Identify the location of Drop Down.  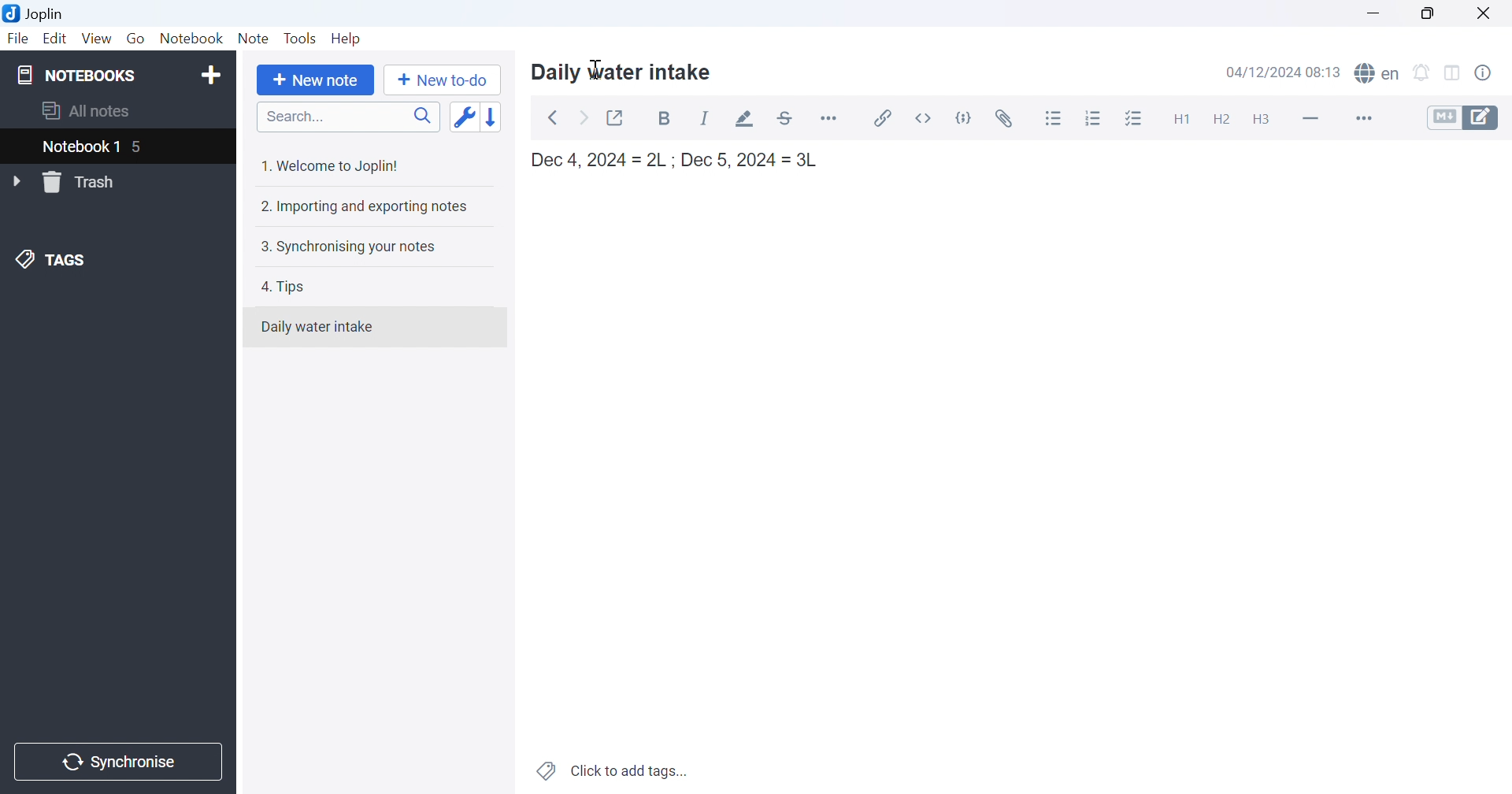
(16, 180).